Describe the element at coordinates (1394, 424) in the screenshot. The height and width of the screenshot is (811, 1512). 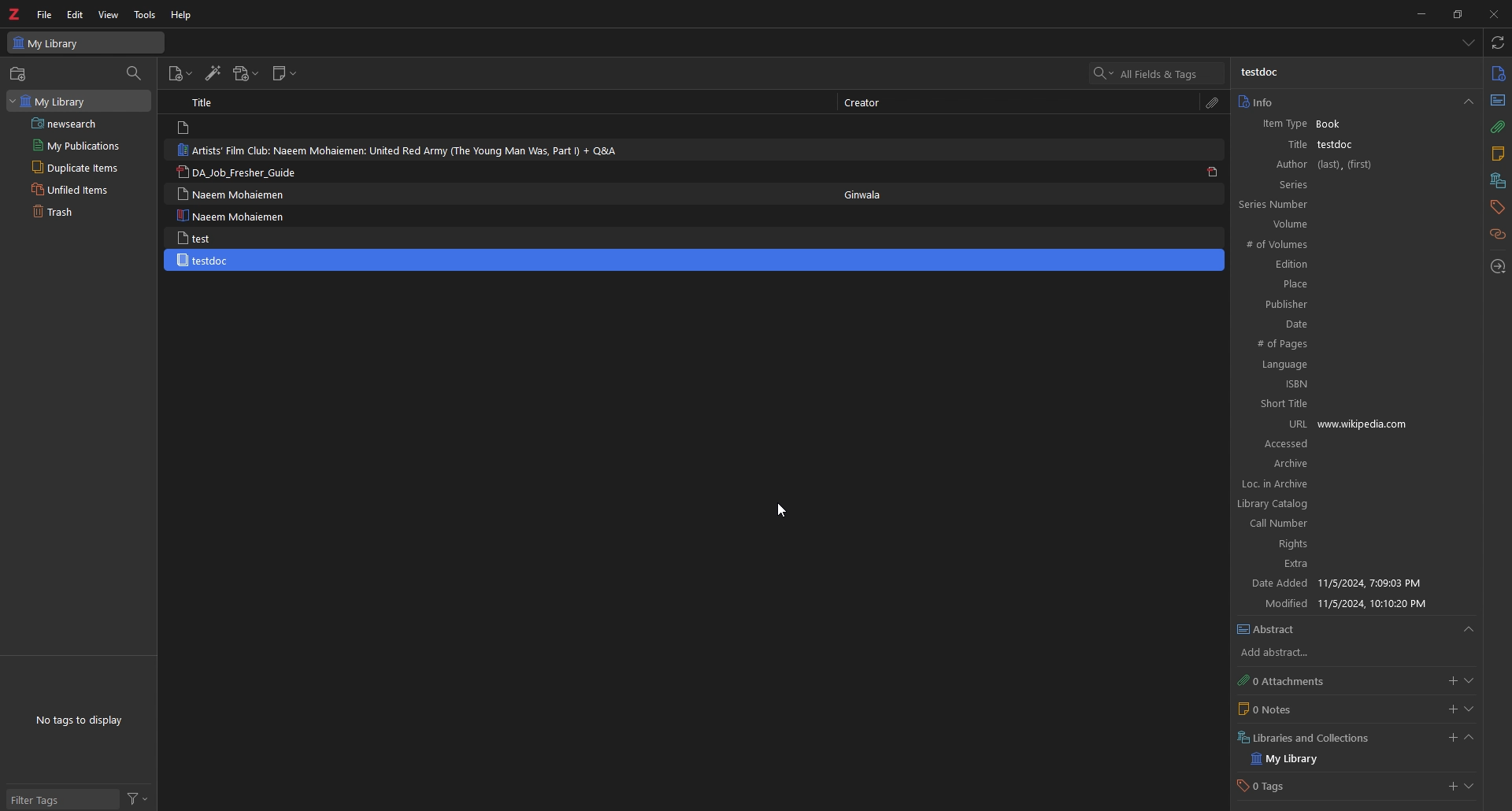
I see `www.wikipedia.com` at that location.